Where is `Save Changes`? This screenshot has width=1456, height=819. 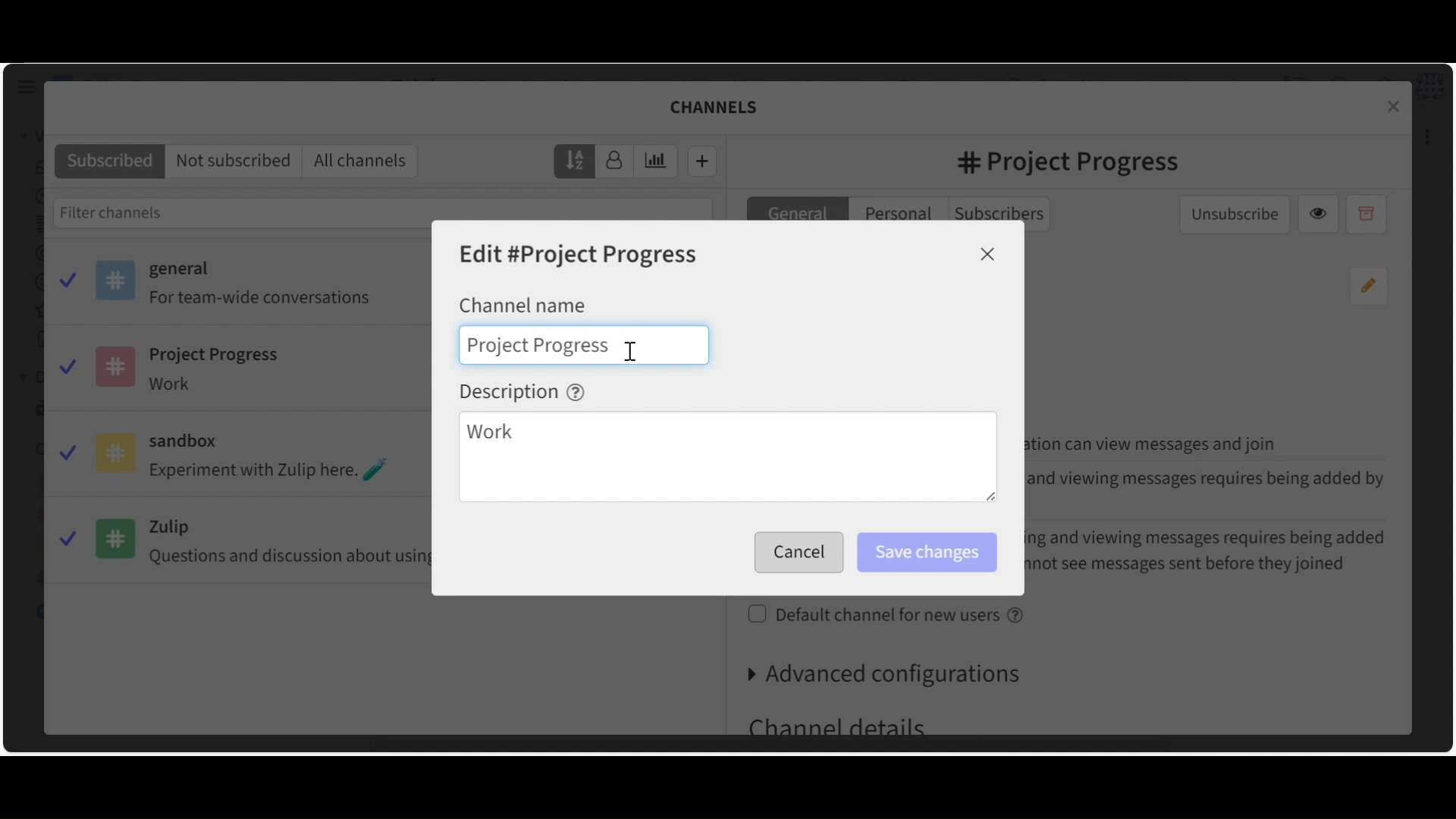
Save Changes is located at coordinates (926, 553).